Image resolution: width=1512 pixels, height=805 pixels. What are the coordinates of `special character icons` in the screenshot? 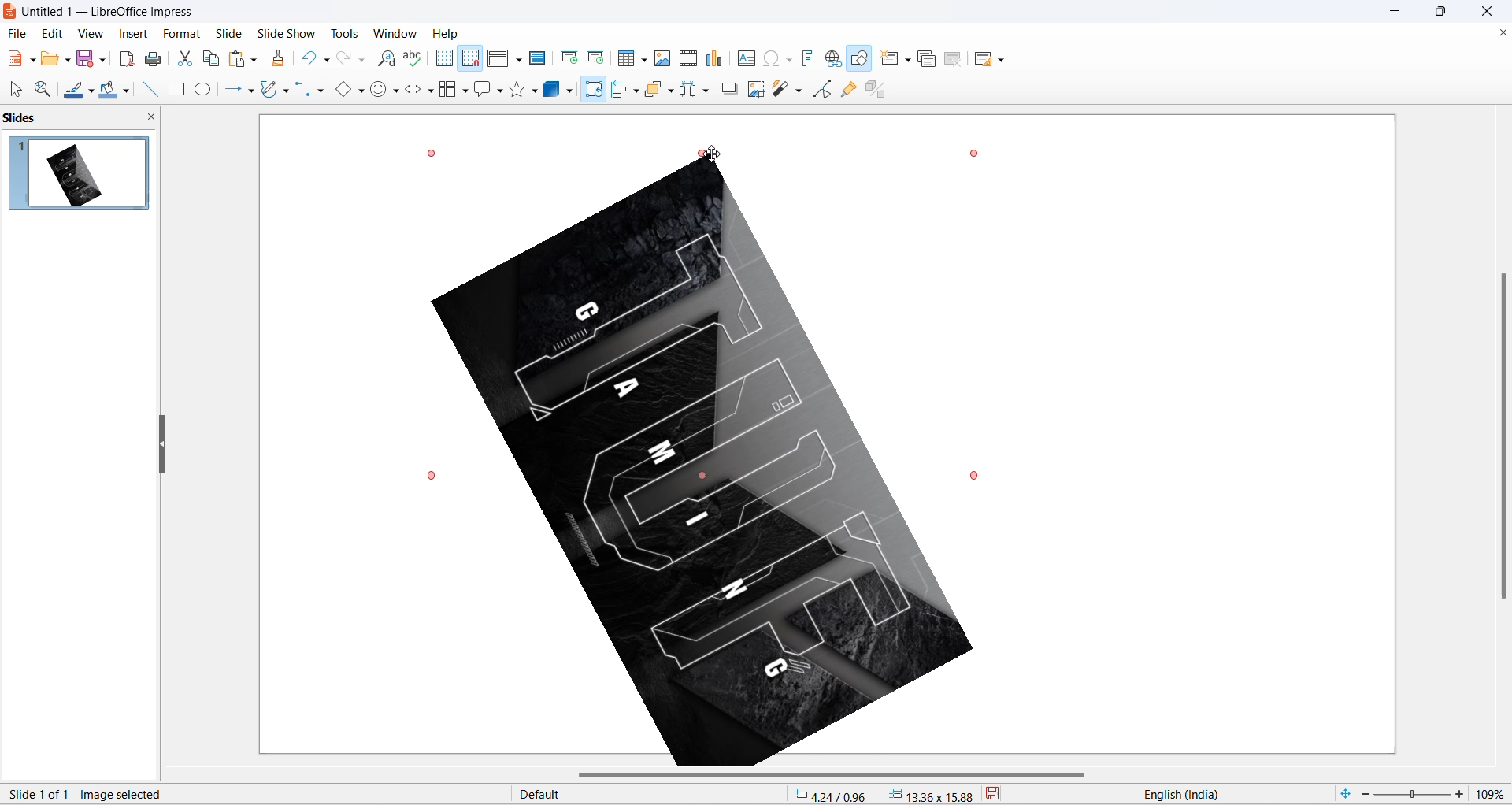 It's located at (787, 58).